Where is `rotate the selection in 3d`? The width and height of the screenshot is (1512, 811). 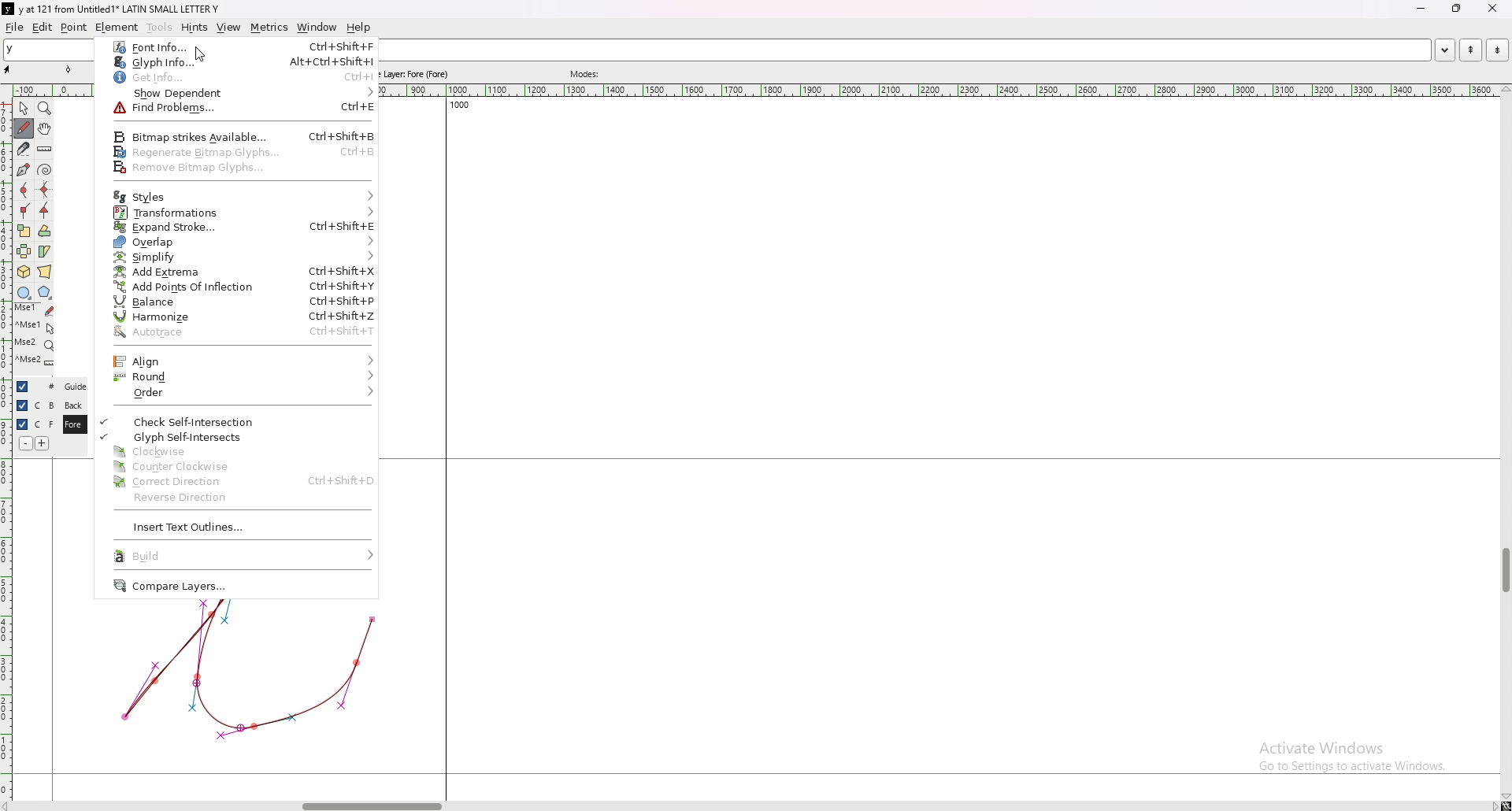
rotate the selection in 3d is located at coordinates (24, 272).